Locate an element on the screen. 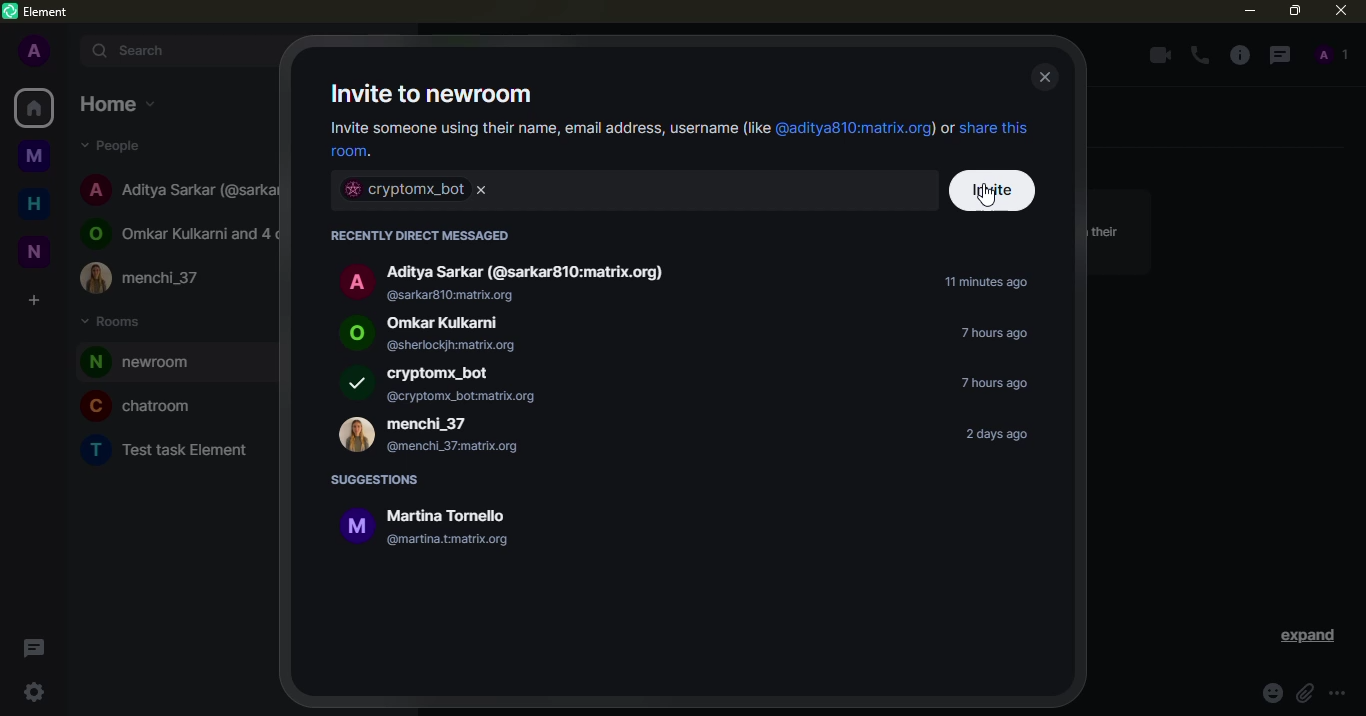  Aditya Sarkar (@sarkar810:matrix.org) is located at coordinates (174, 189).